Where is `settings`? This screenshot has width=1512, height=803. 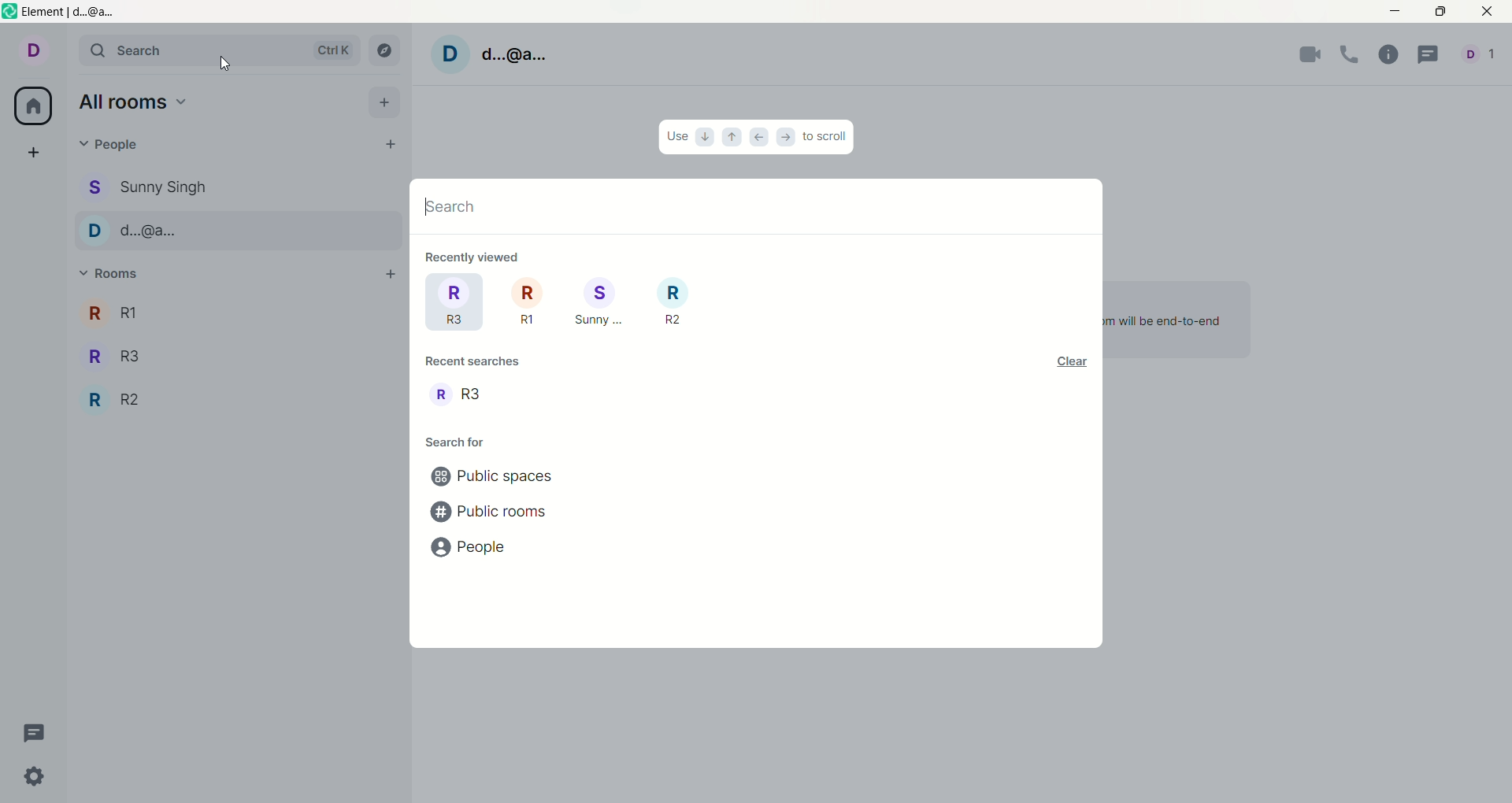 settings is located at coordinates (32, 778).